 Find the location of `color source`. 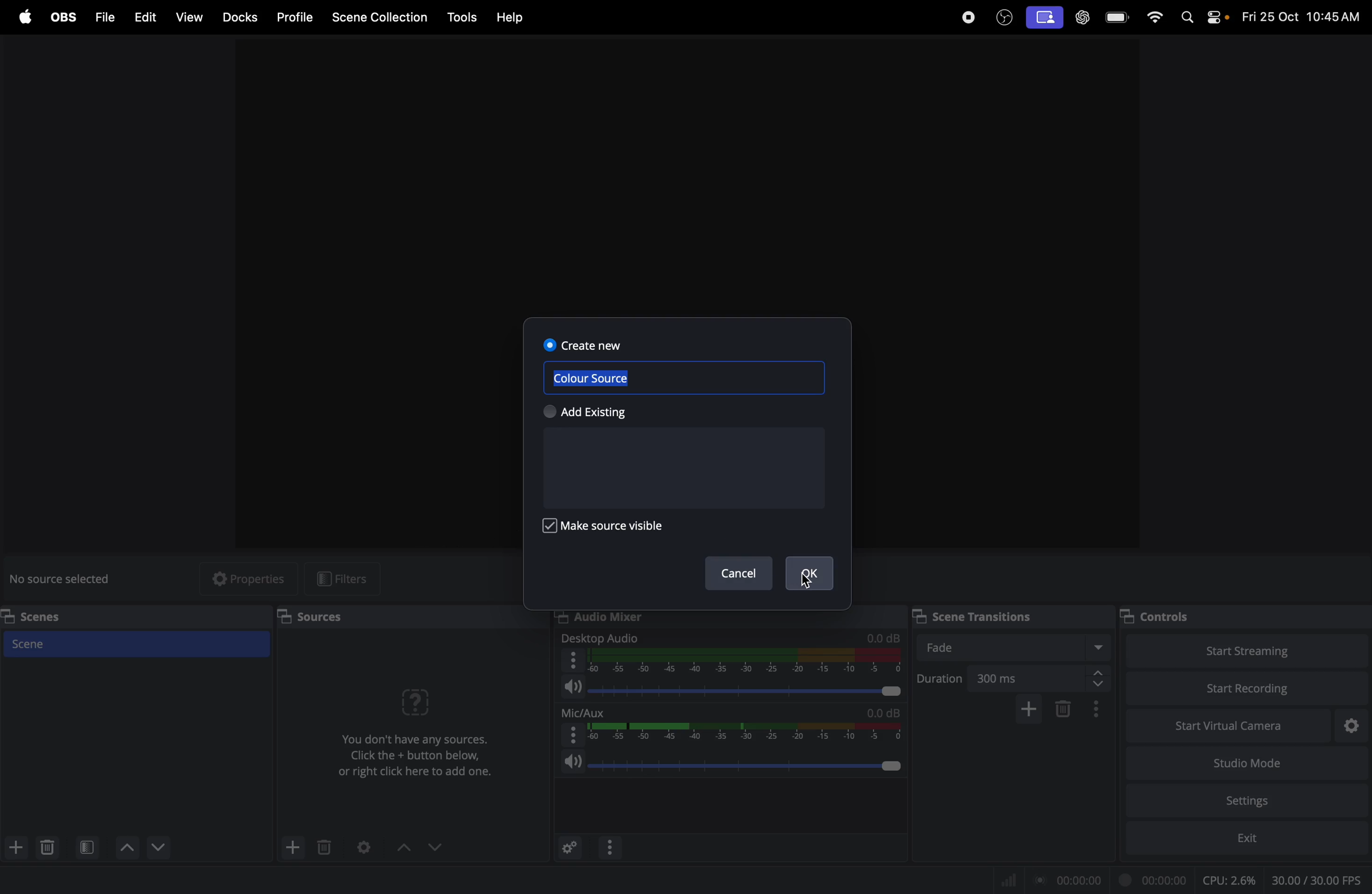

color source is located at coordinates (696, 378).